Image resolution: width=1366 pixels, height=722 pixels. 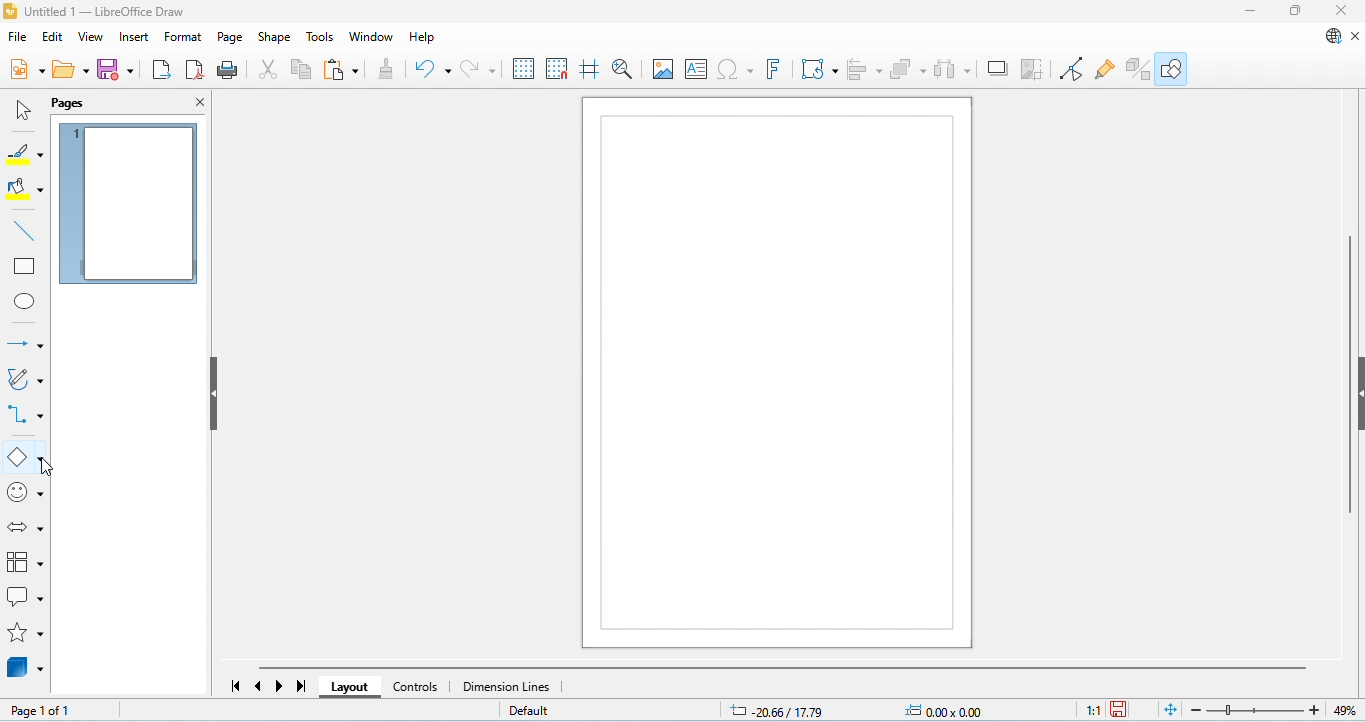 What do you see at coordinates (276, 36) in the screenshot?
I see `shape` at bounding box center [276, 36].